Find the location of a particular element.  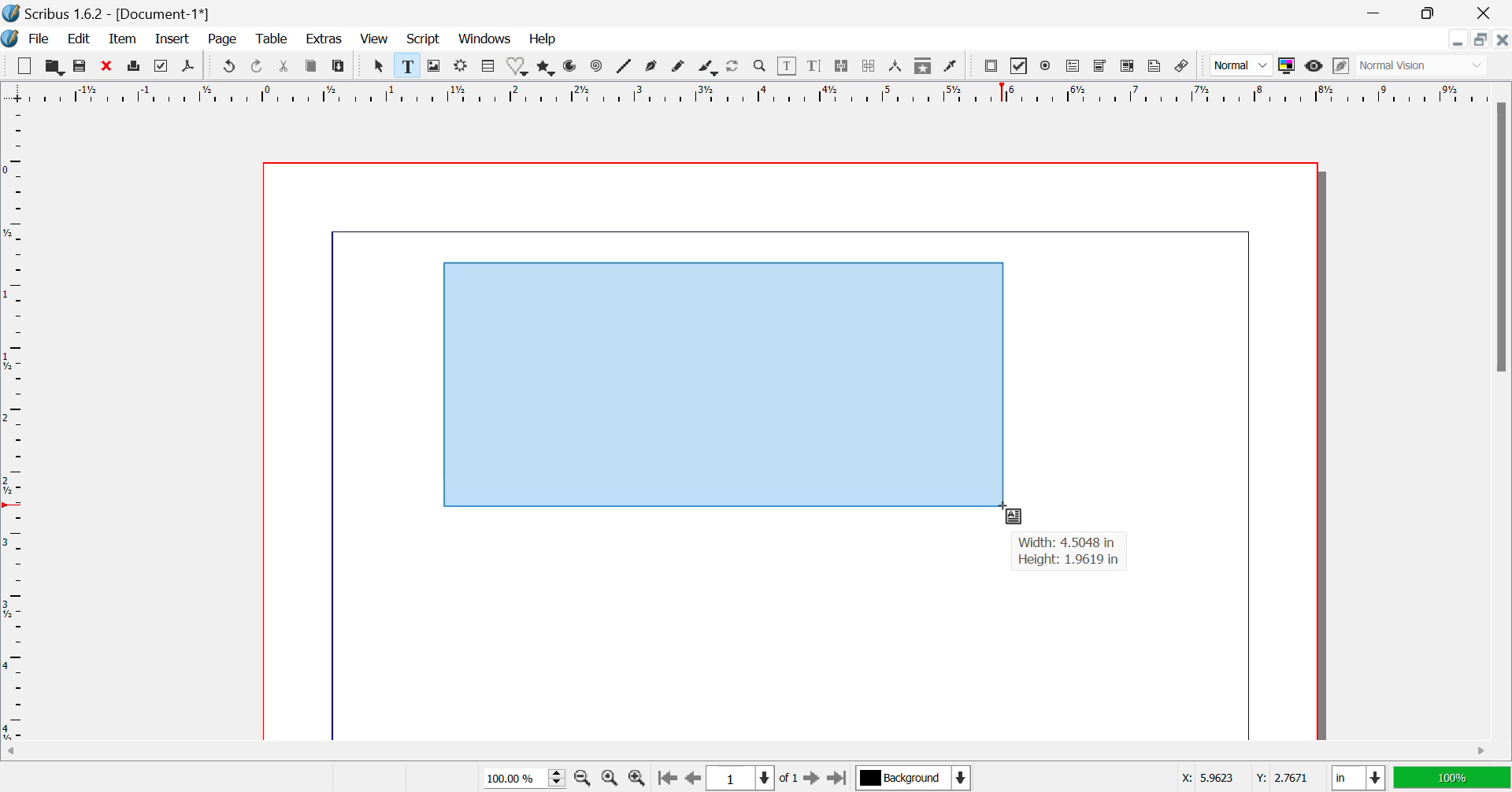

Image Frame is located at coordinates (435, 66).